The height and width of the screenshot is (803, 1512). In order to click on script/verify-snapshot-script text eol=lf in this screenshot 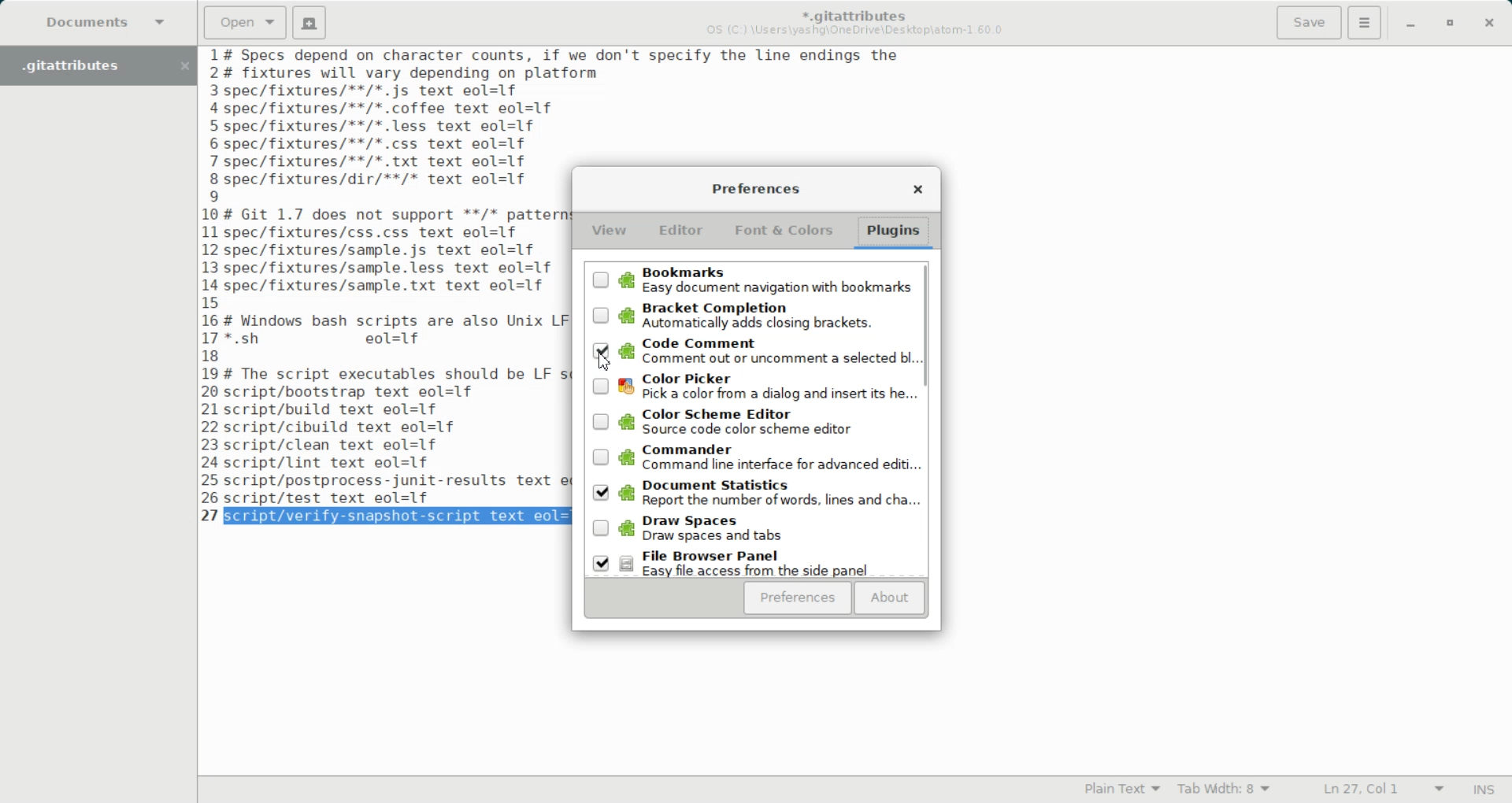, I will do `click(400, 516)`.